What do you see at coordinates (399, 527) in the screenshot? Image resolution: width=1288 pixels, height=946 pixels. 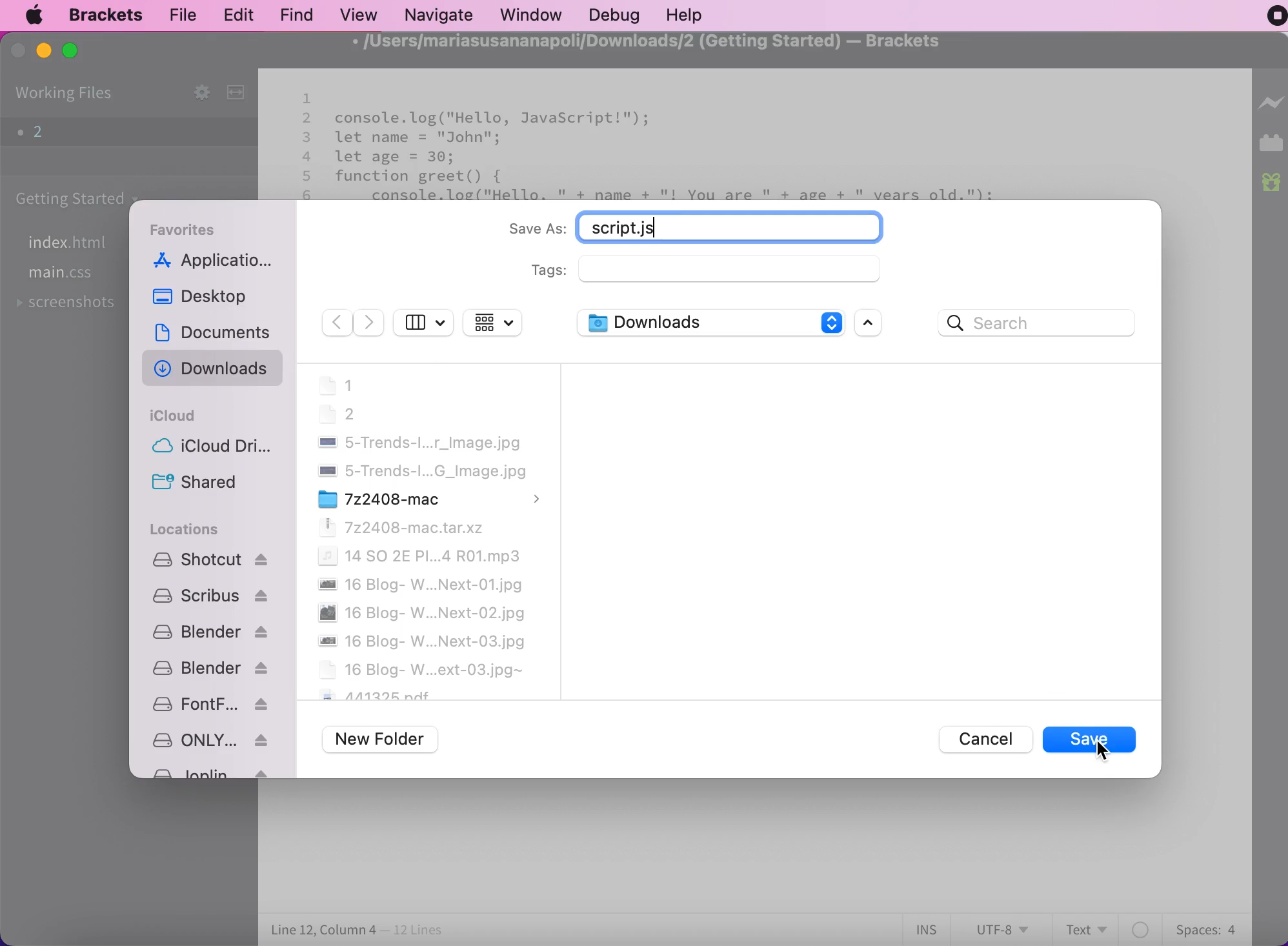 I see `7z2408-mac.tar.xz` at bounding box center [399, 527].